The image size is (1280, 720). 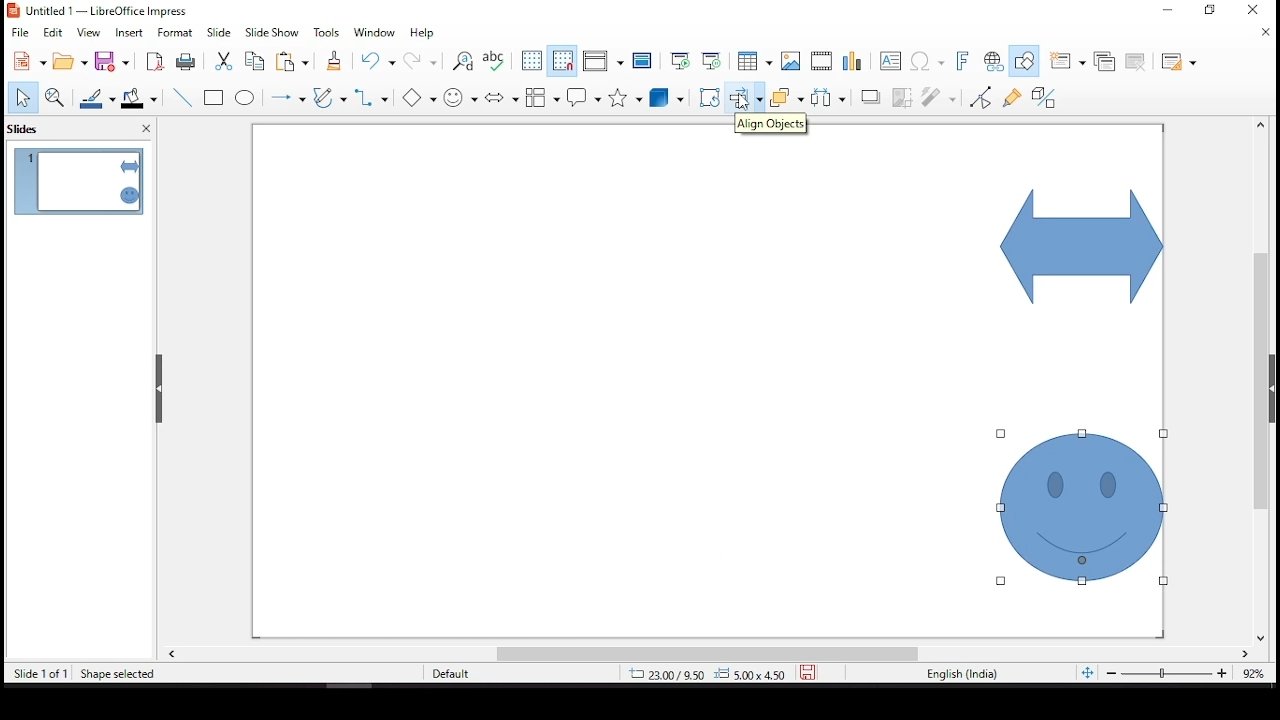 What do you see at coordinates (256, 62) in the screenshot?
I see `copy` at bounding box center [256, 62].